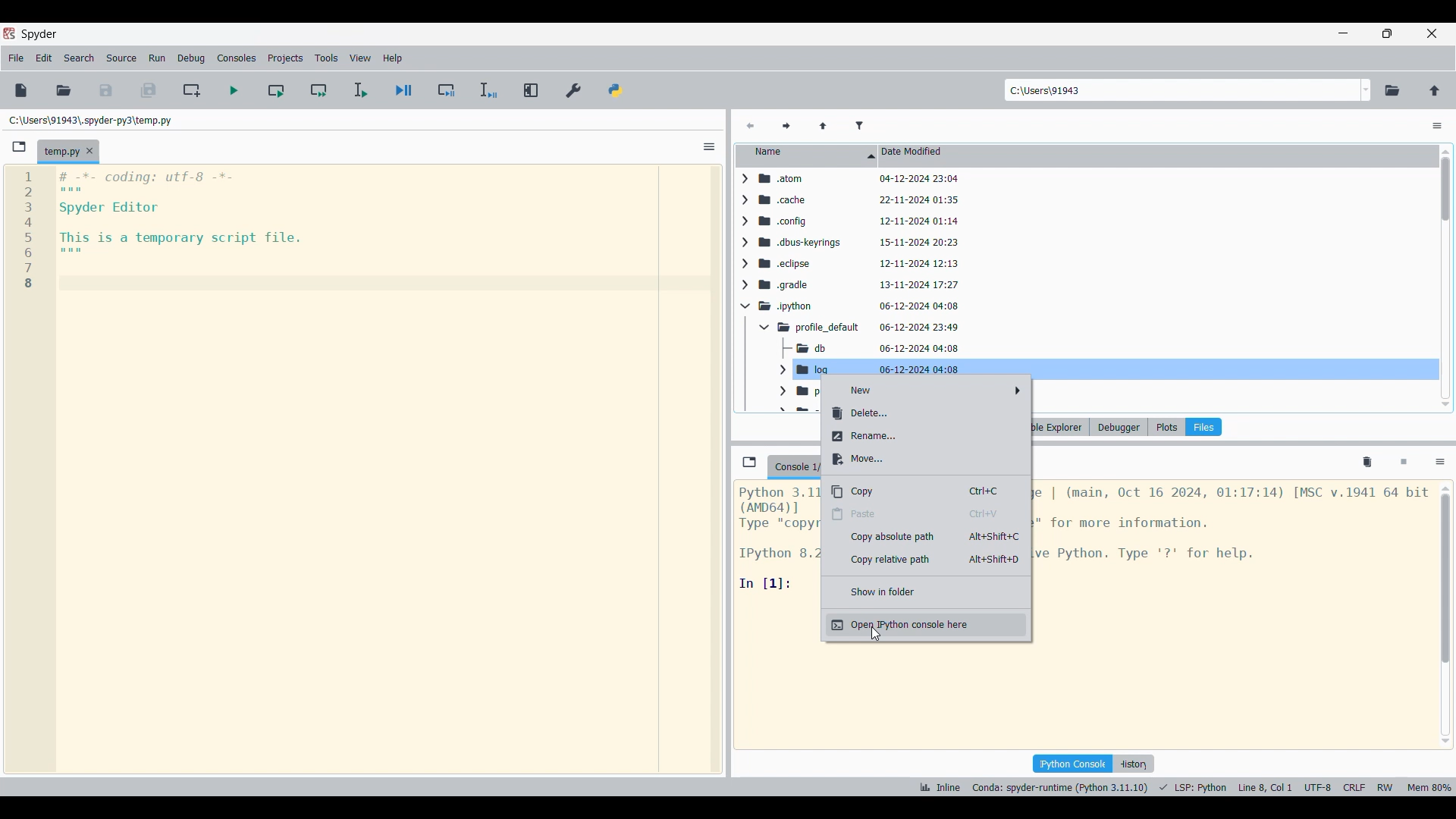 This screenshot has width=1456, height=819. I want to click on Remove all variables from namespace, so click(1367, 463).